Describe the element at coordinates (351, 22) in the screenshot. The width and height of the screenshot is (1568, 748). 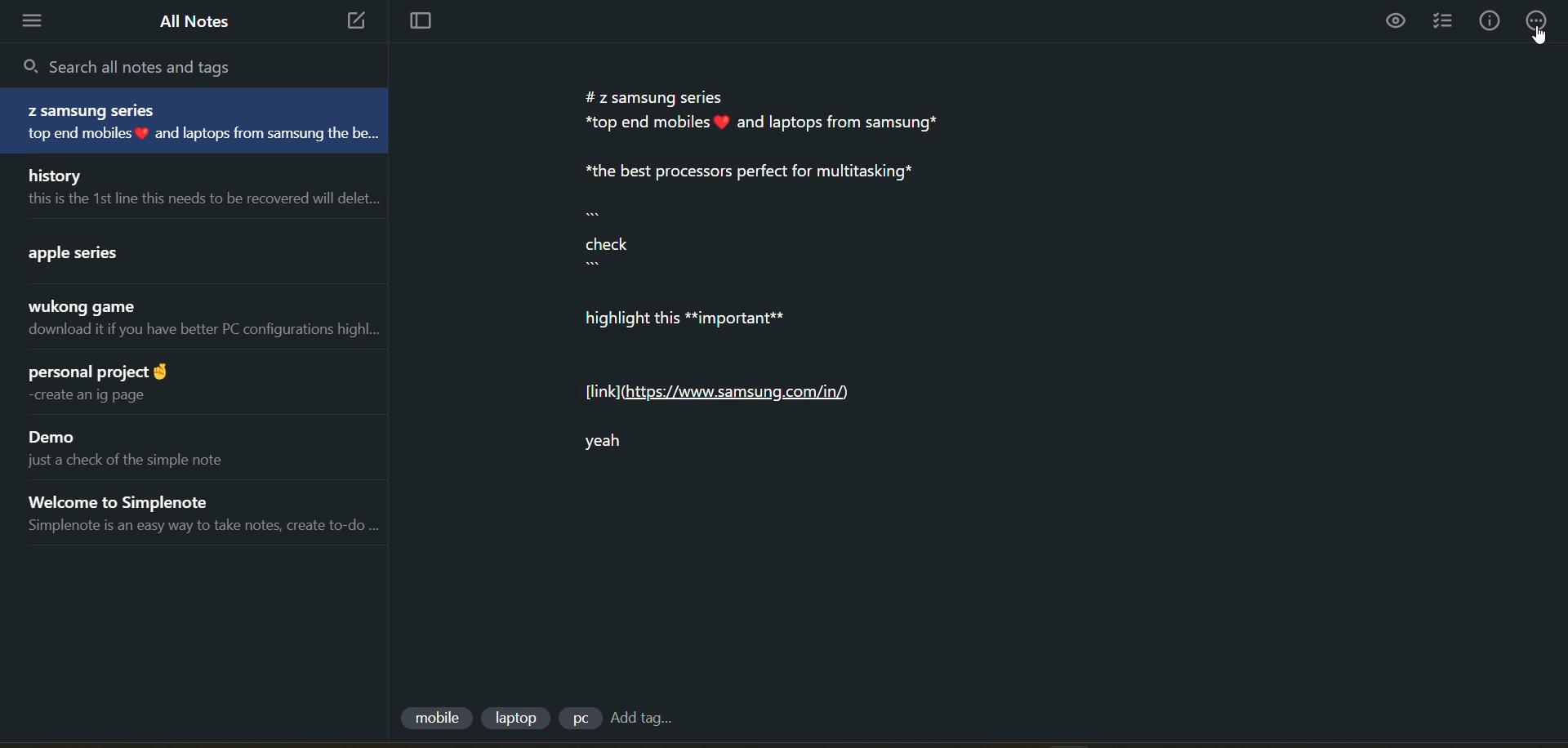
I see `new note` at that location.